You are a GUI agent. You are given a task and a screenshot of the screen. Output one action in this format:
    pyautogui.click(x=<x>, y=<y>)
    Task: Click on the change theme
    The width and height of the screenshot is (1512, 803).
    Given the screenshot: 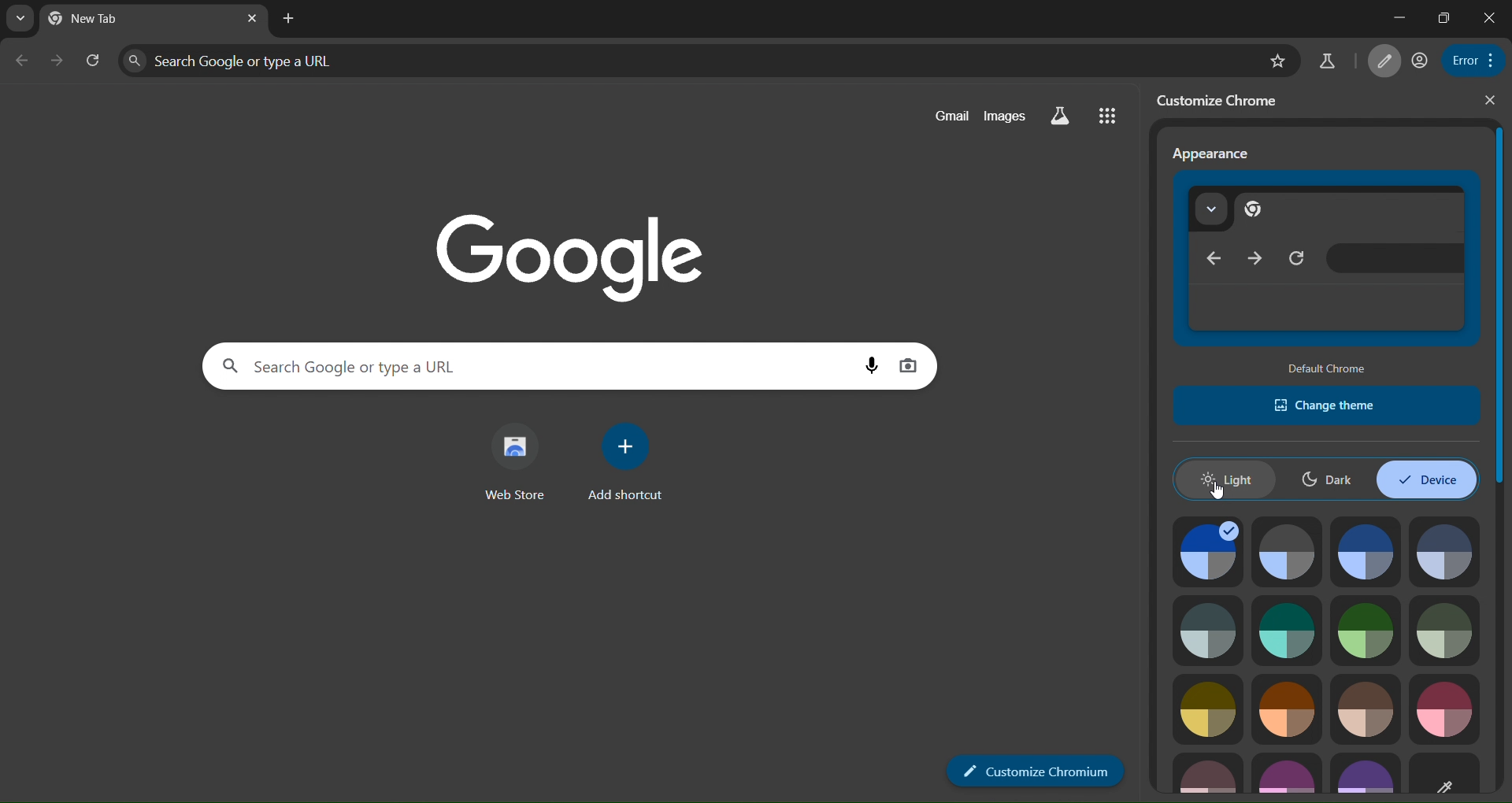 What is the action you would take?
    pyautogui.click(x=1328, y=405)
    